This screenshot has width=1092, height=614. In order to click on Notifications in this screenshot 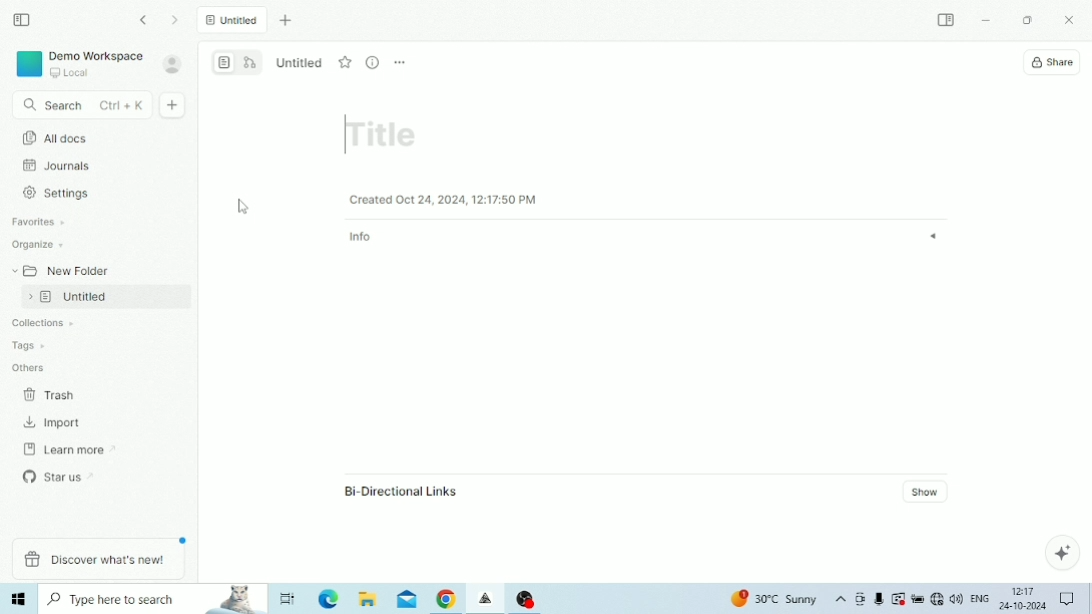, I will do `click(1067, 598)`.